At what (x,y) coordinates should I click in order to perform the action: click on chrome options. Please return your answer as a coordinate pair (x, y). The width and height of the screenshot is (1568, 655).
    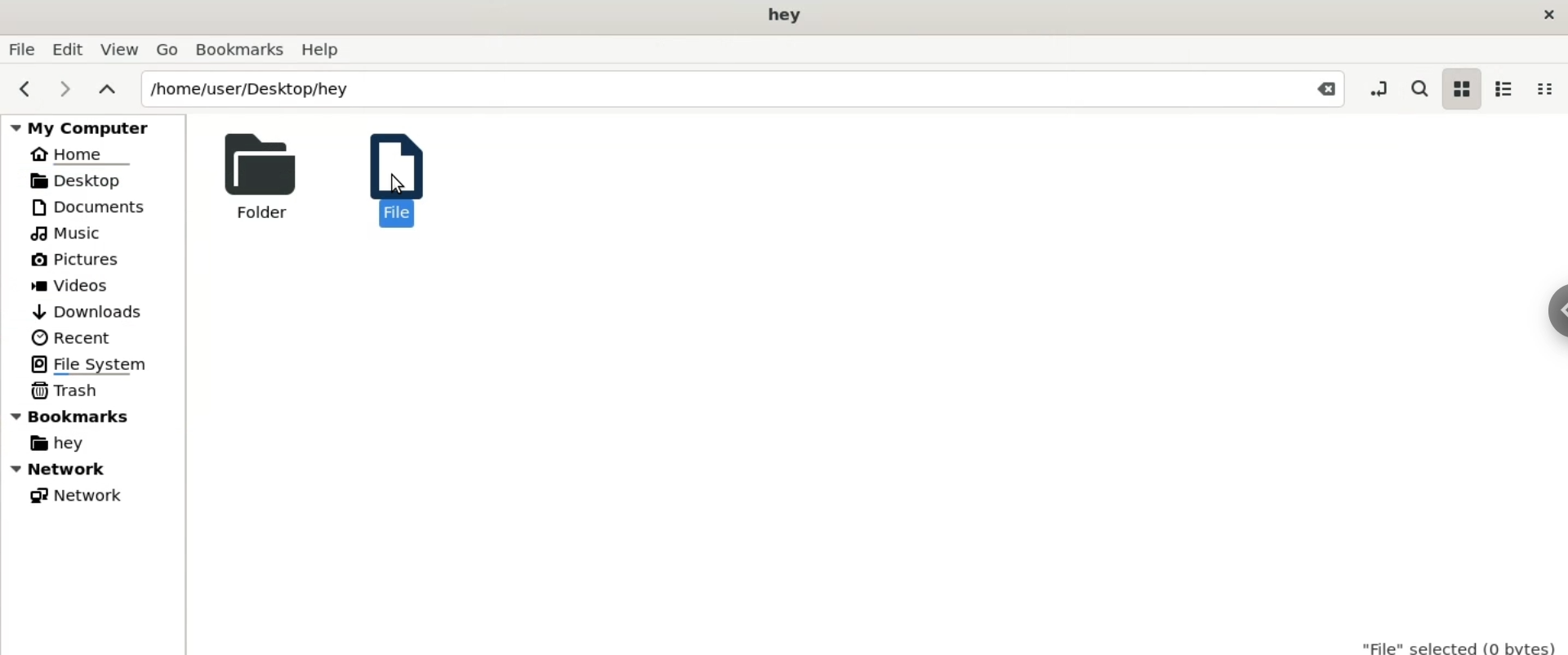
    Looking at the image, I should click on (1554, 316).